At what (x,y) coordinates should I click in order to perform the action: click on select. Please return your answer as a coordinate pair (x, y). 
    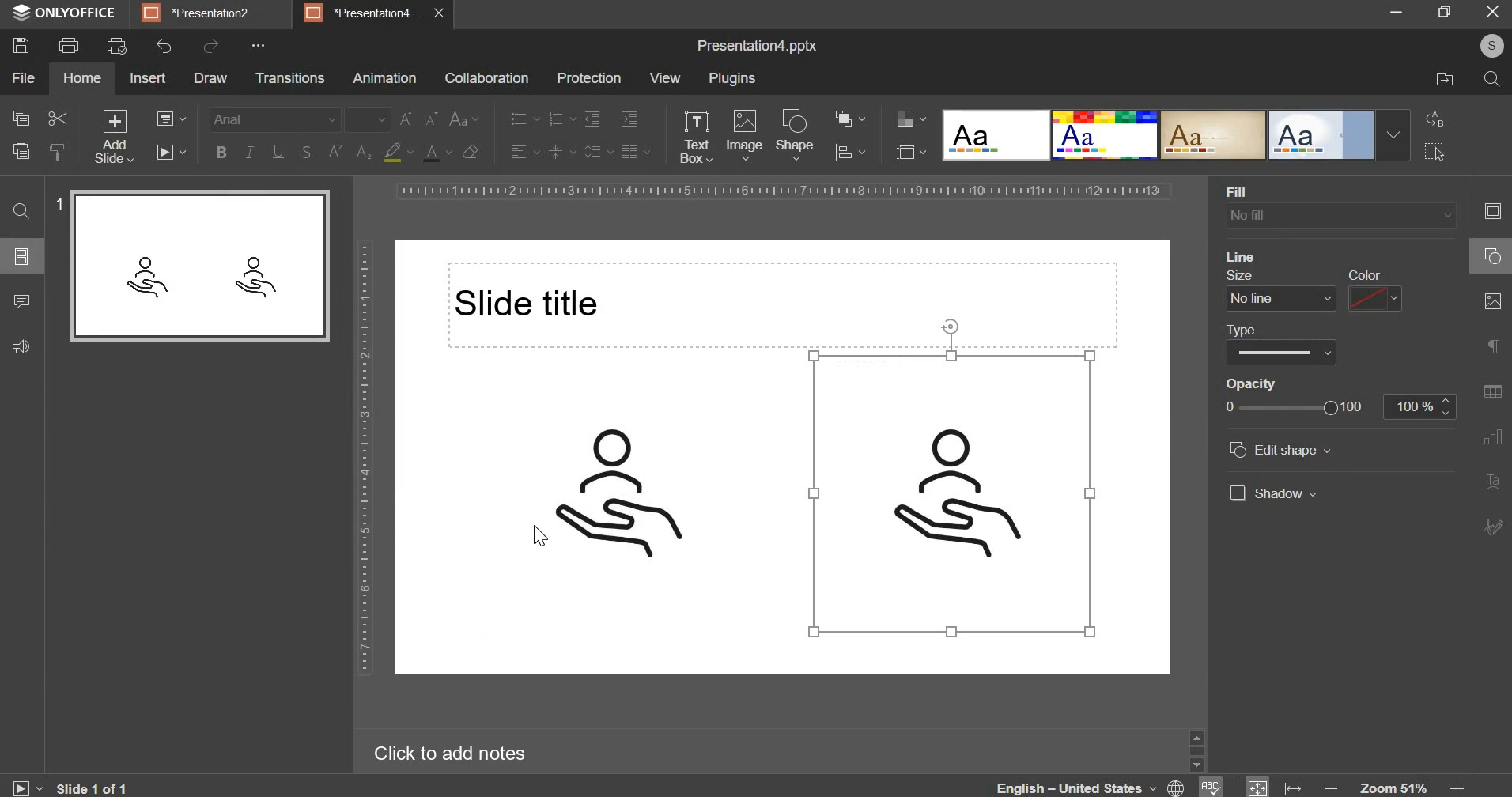
    Looking at the image, I should click on (1434, 150).